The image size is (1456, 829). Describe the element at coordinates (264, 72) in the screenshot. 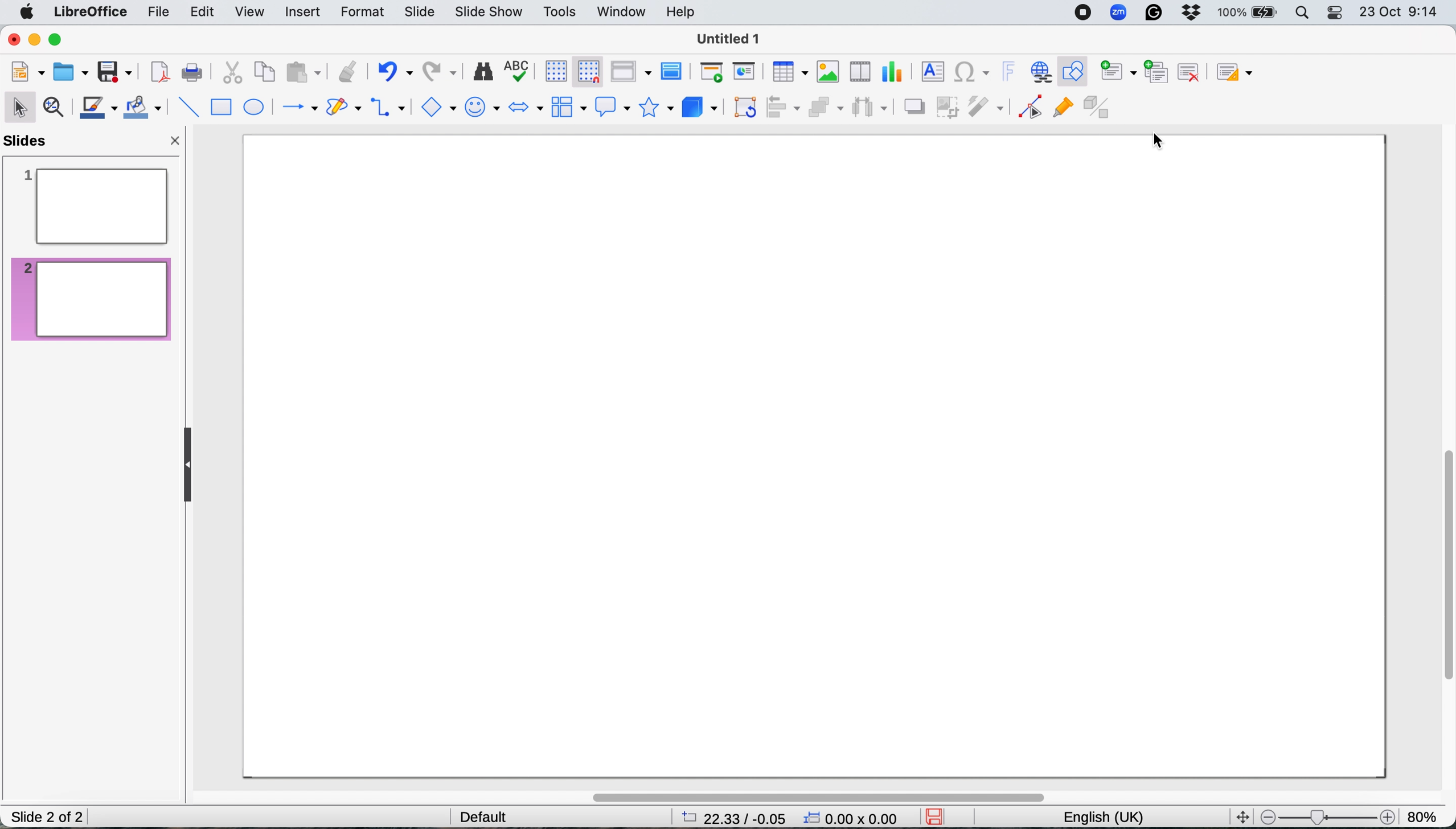

I see `copy` at that location.